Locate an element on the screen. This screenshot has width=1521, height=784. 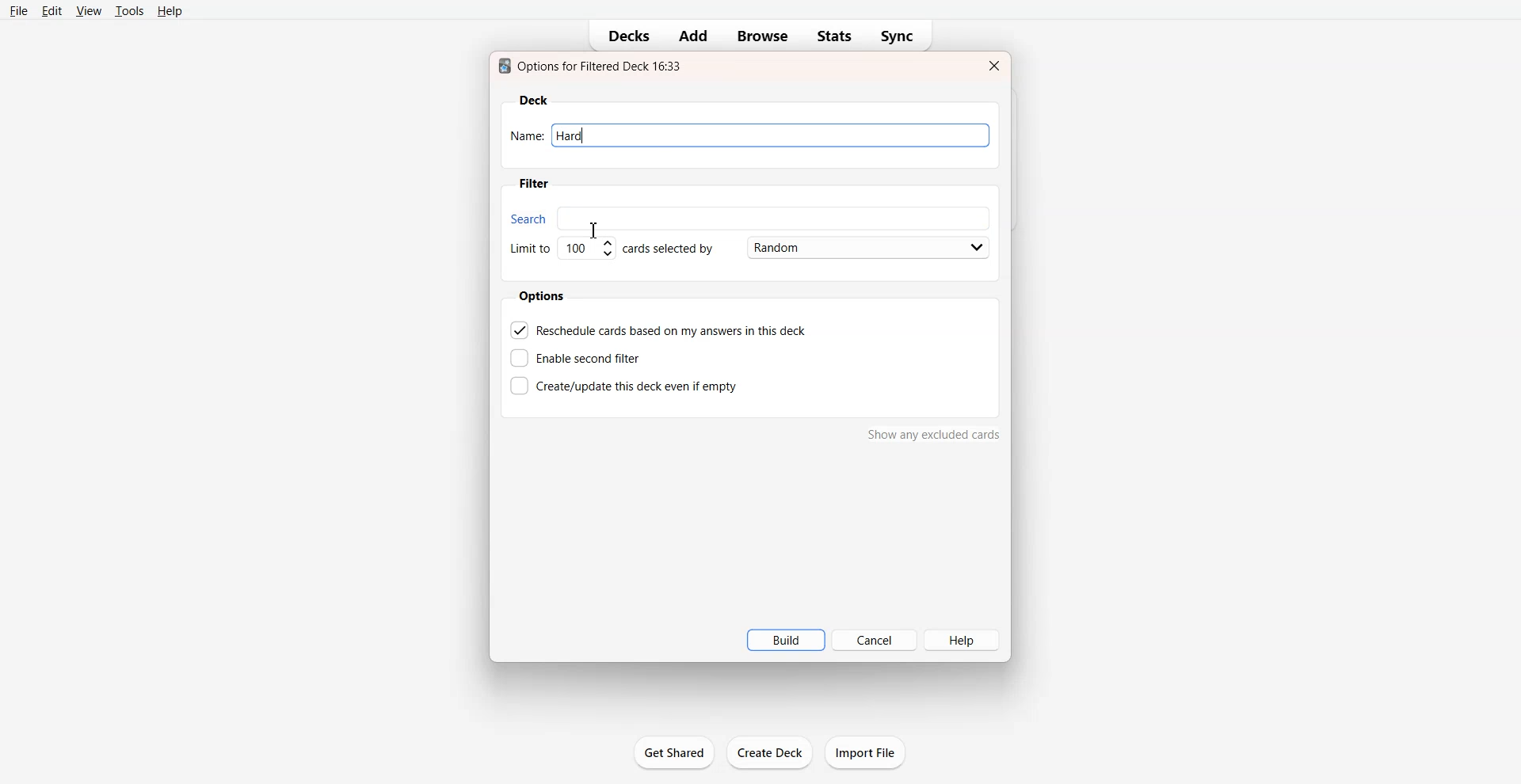
Name: hard is located at coordinates (753, 136).